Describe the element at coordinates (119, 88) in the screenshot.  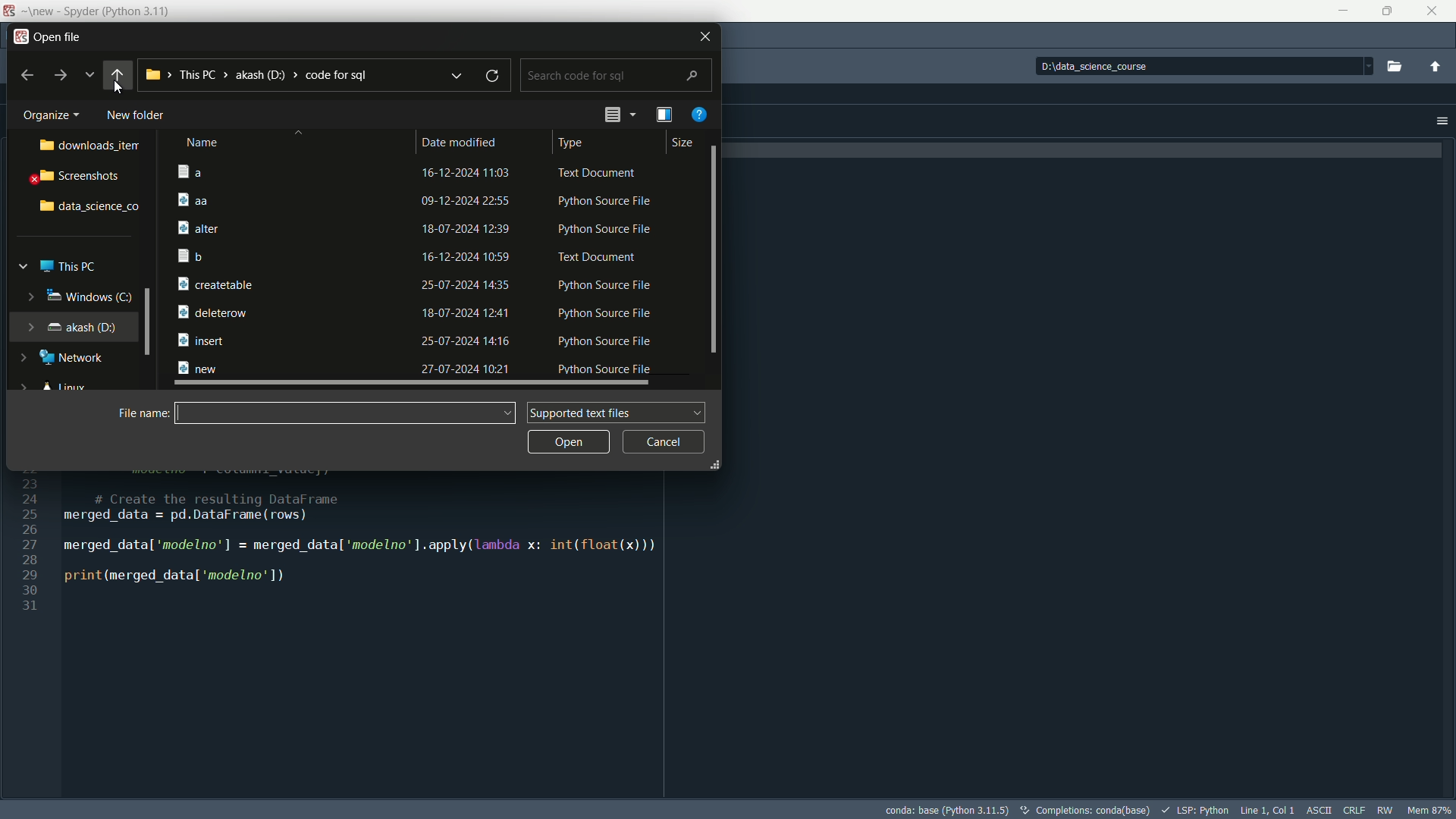
I see `cursor` at that location.